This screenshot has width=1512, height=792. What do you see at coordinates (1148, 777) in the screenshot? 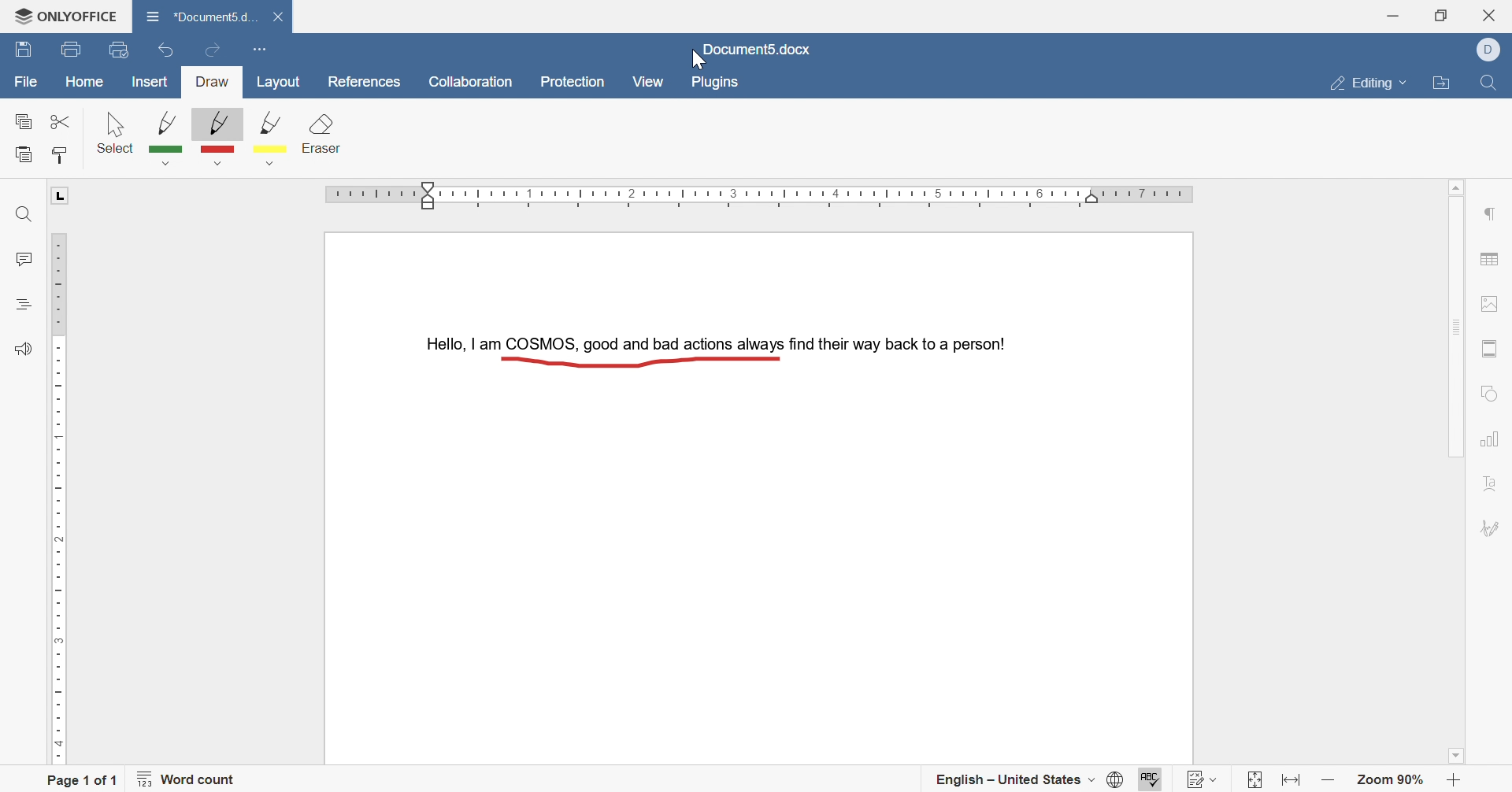
I see `spell checking` at bounding box center [1148, 777].